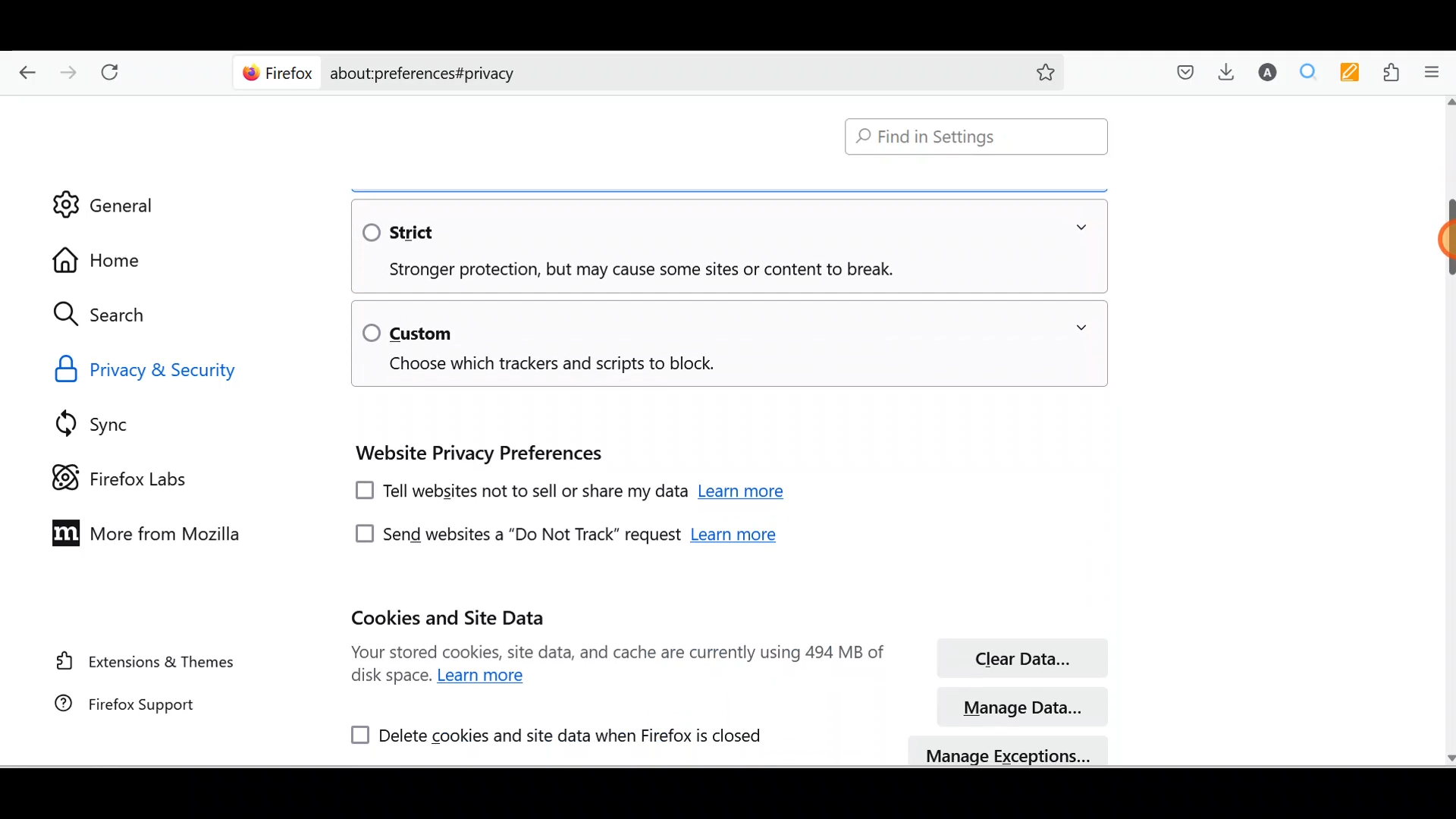 The height and width of the screenshot is (819, 1456). I want to click on cursor, so click(1447, 240).